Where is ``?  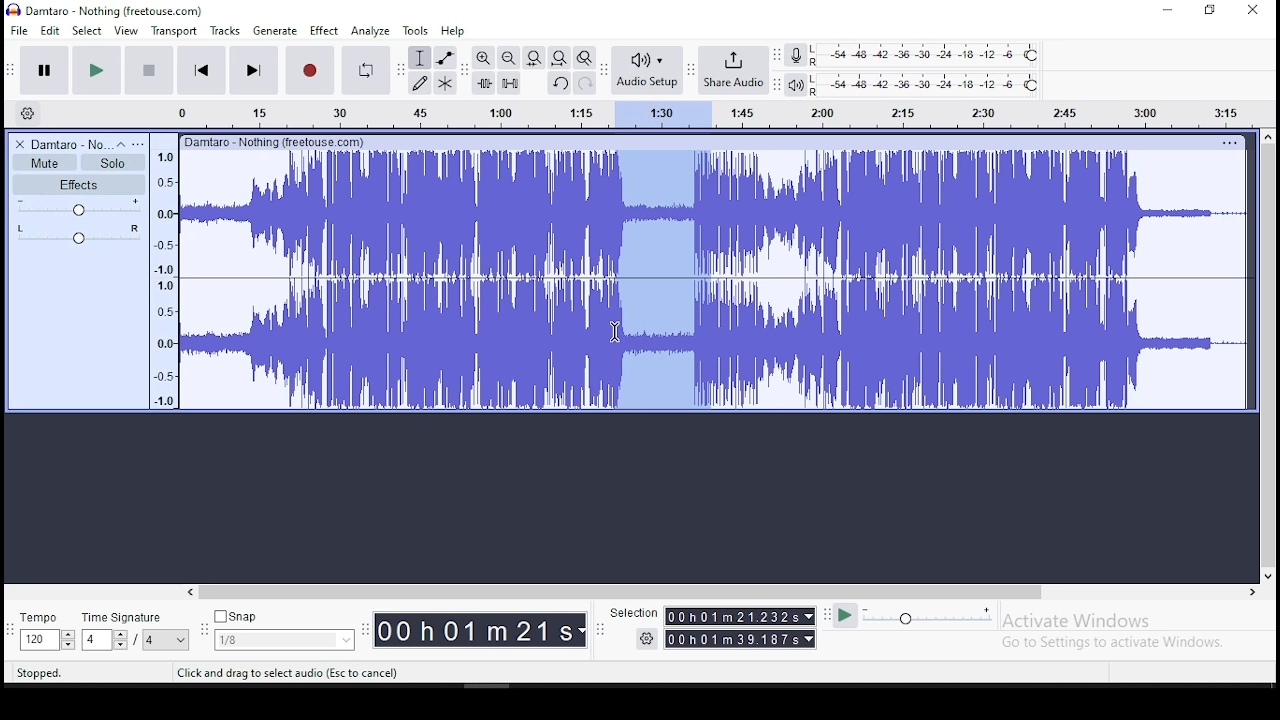
 is located at coordinates (277, 141).